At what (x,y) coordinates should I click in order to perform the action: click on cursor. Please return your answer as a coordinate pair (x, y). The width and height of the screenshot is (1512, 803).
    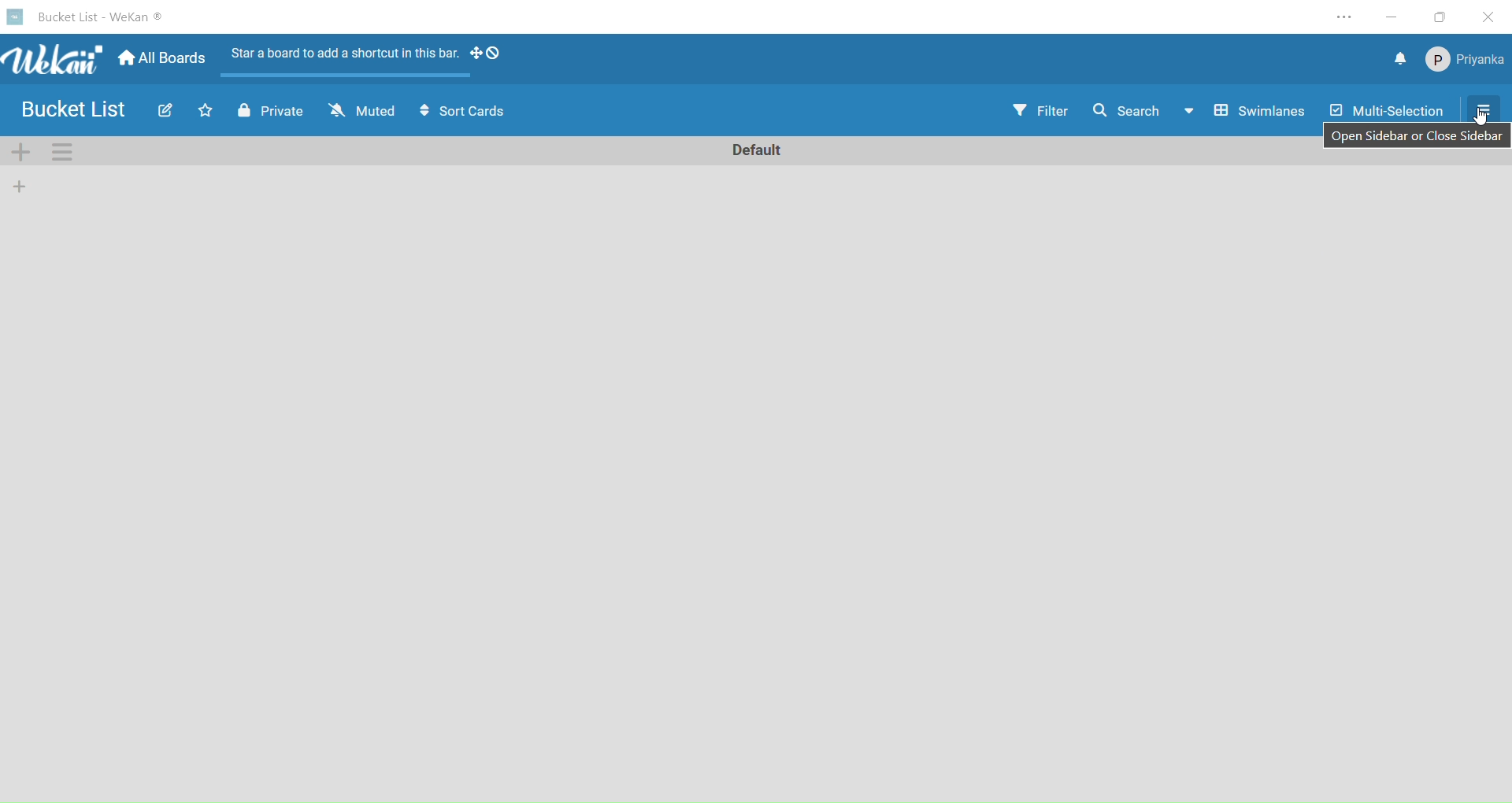
    Looking at the image, I should click on (1480, 120).